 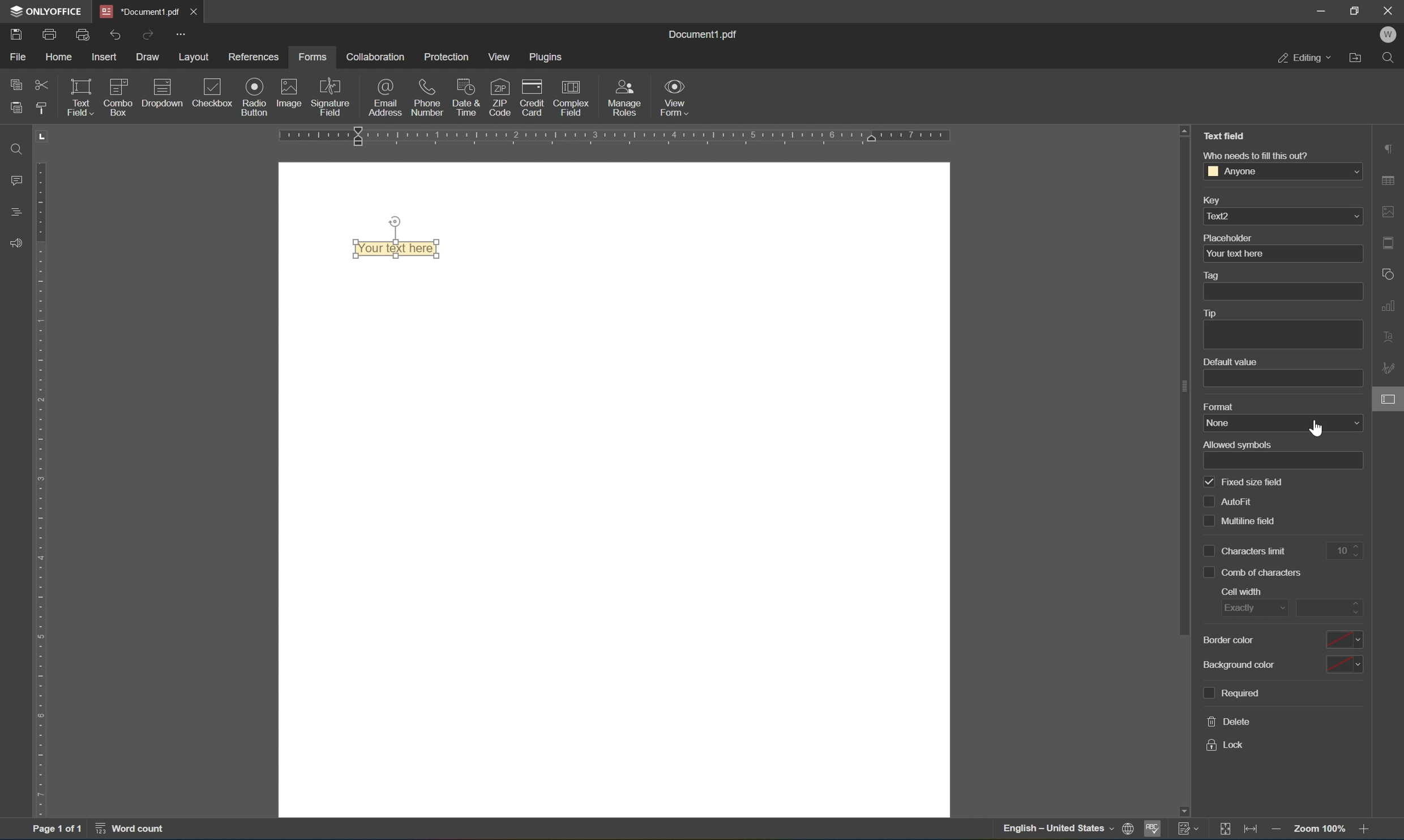 I want to click on file, so click(x=15, y=56).